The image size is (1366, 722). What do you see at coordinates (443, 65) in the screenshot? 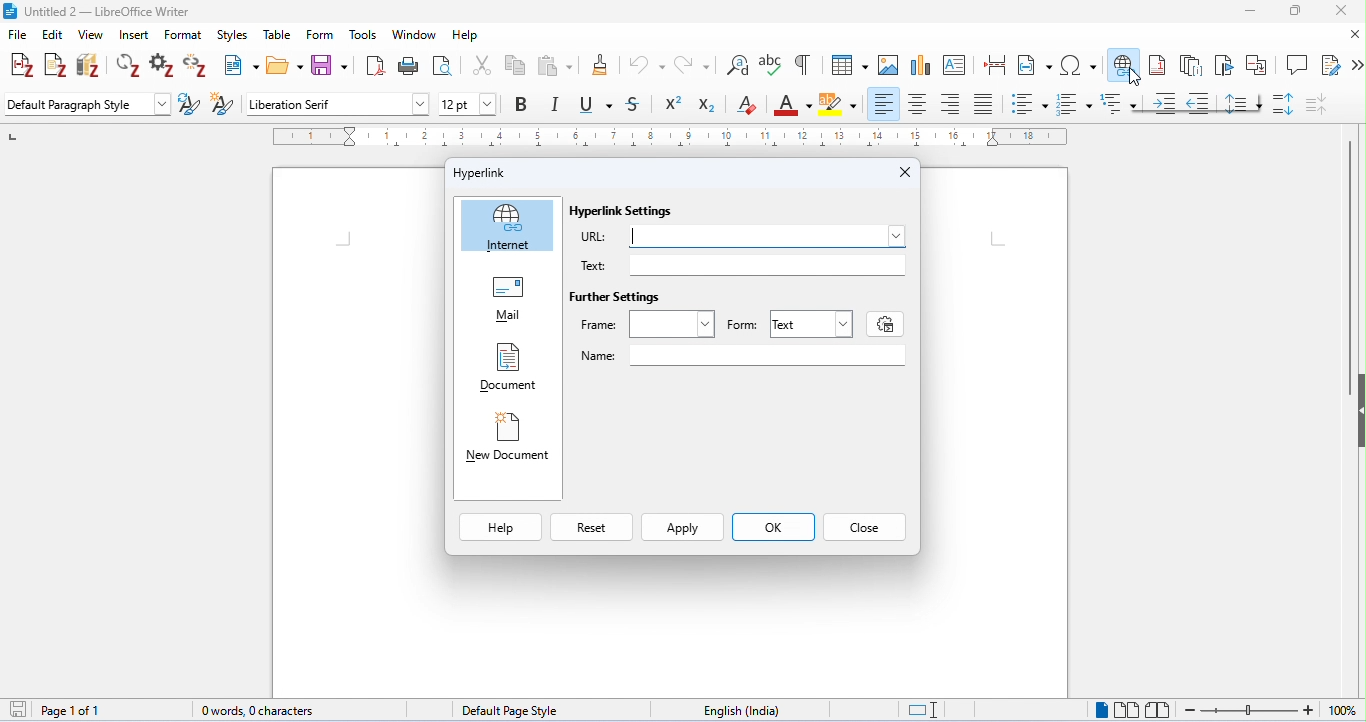
I see `toggle print preview` at bounding box center [443, 65].